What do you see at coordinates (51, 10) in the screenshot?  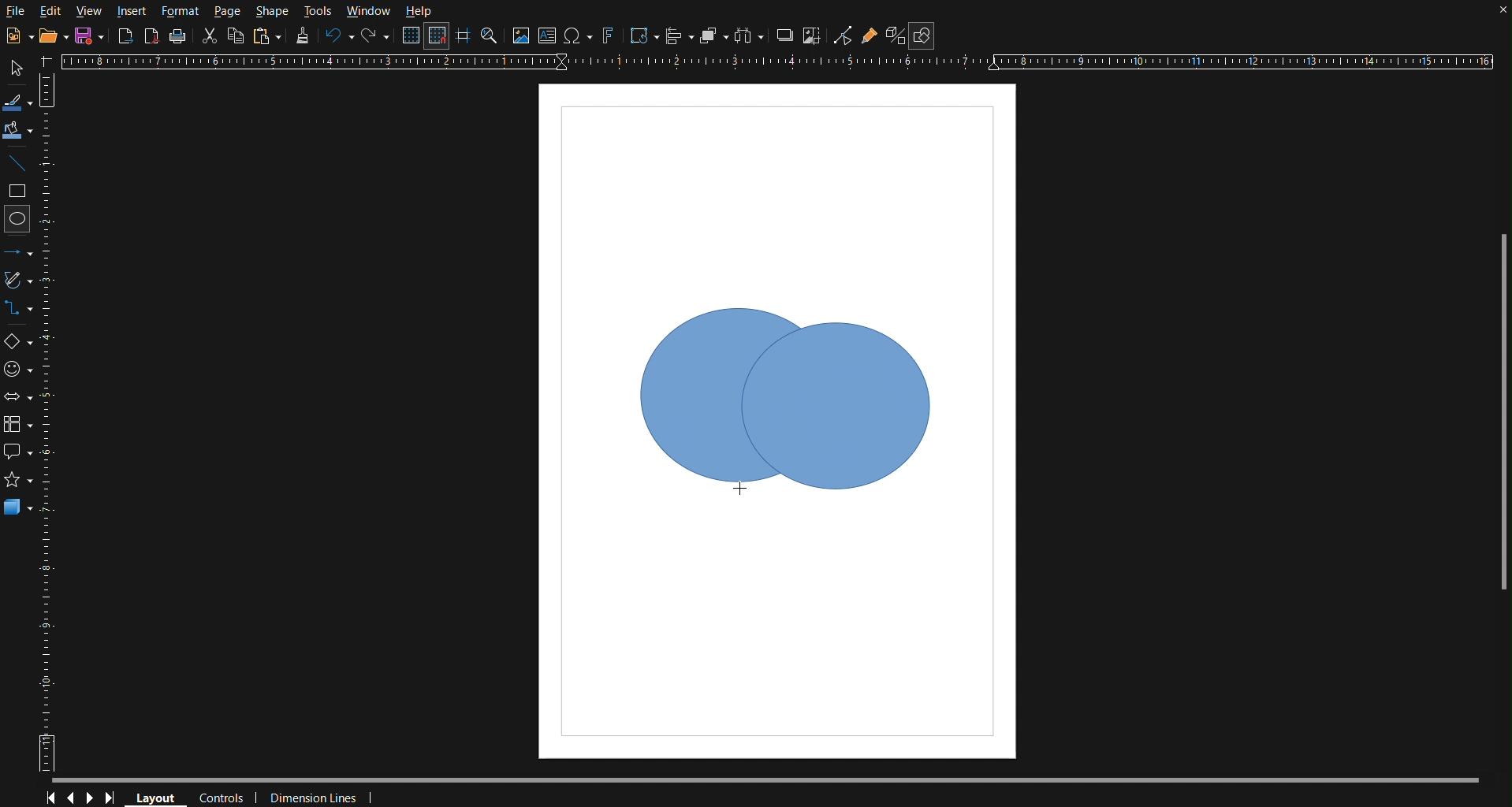 I see `Edit` at bounding box center [51, 10].